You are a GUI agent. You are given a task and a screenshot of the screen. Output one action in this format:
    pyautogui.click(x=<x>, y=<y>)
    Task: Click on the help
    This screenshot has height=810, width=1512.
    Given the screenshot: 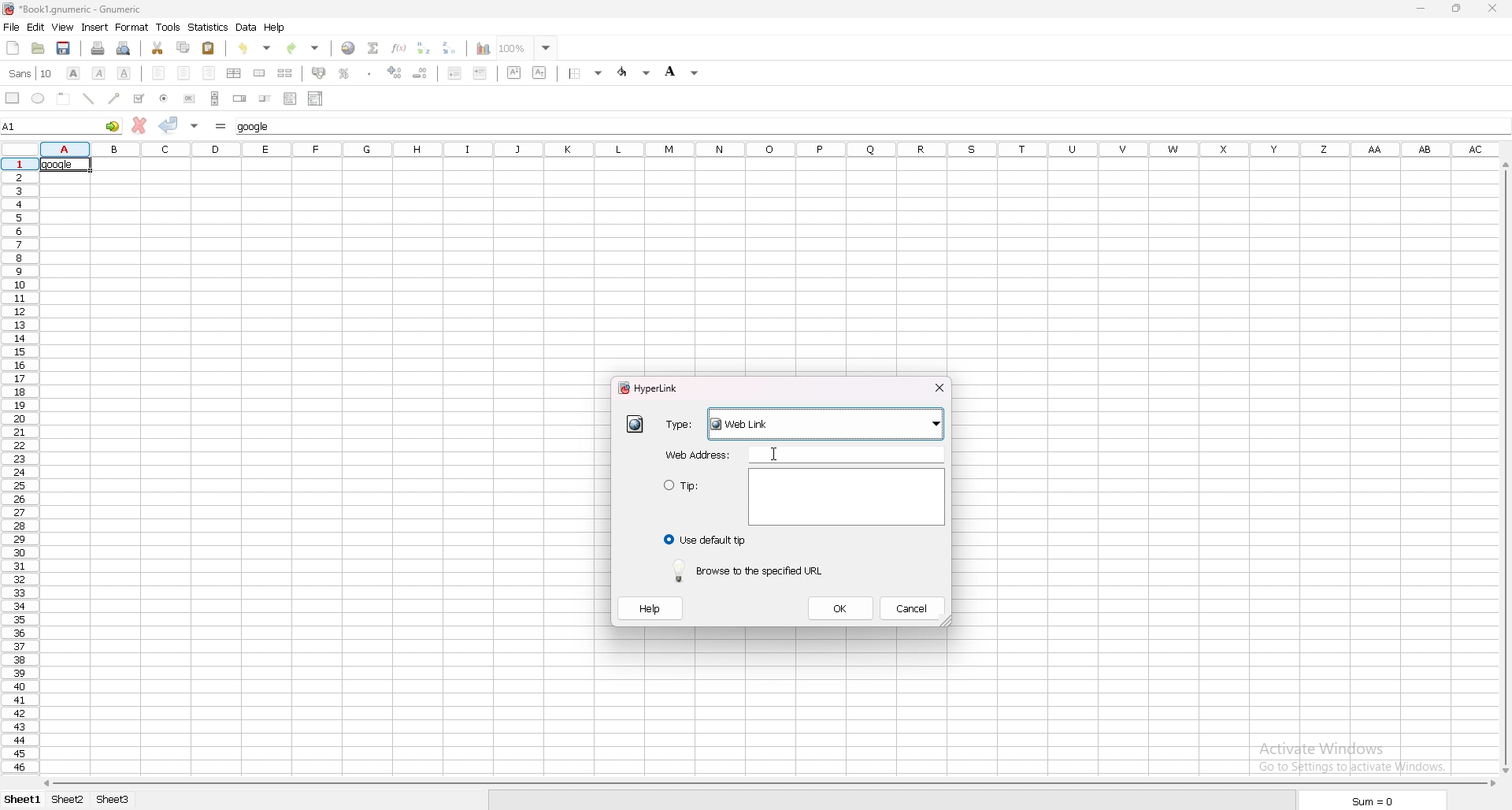 What is the action you would take?
    pyautogui.click(x=276, y=27)
    